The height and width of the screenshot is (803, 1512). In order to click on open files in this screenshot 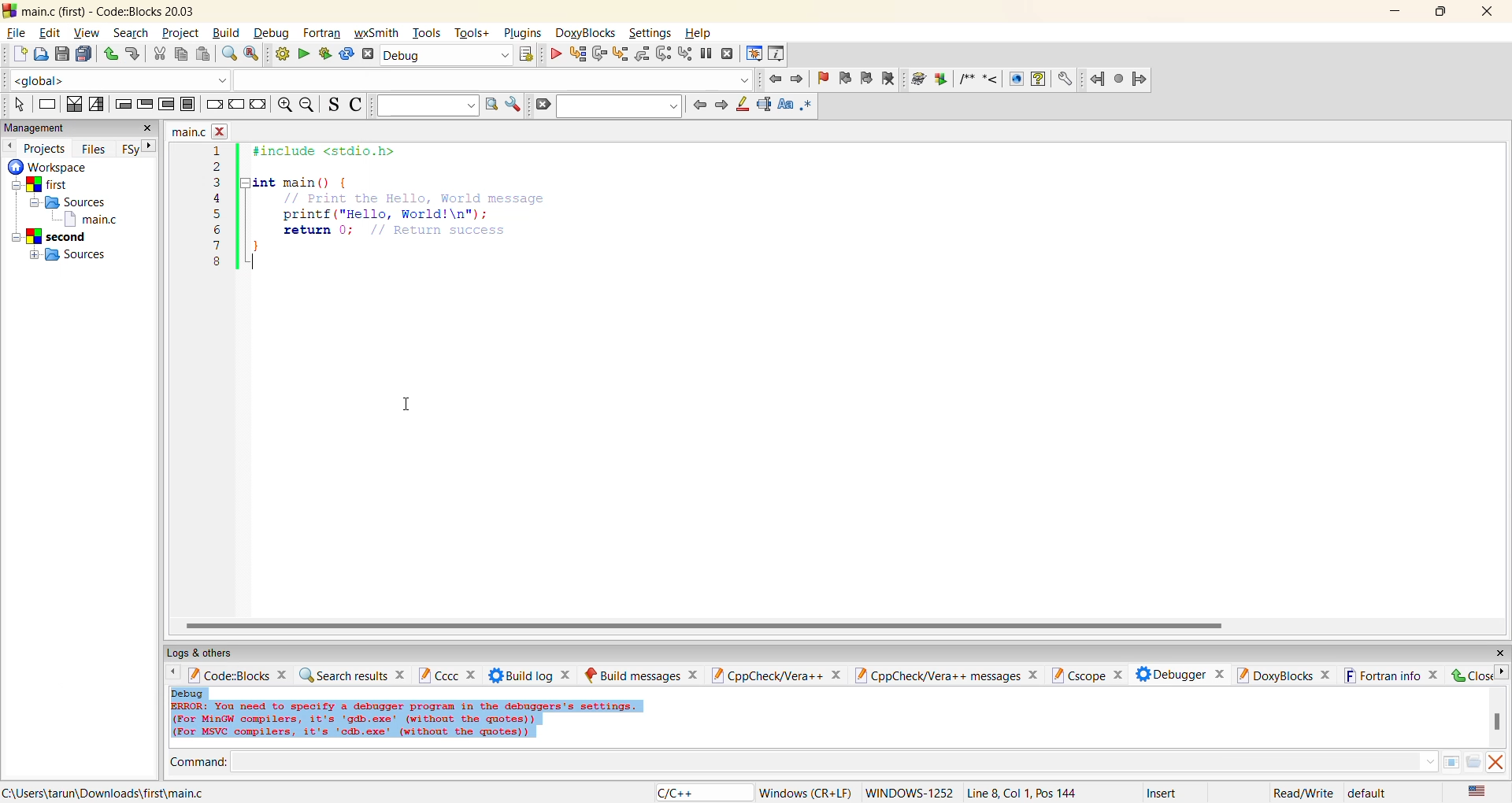, I will do `click(1472, 762)`.